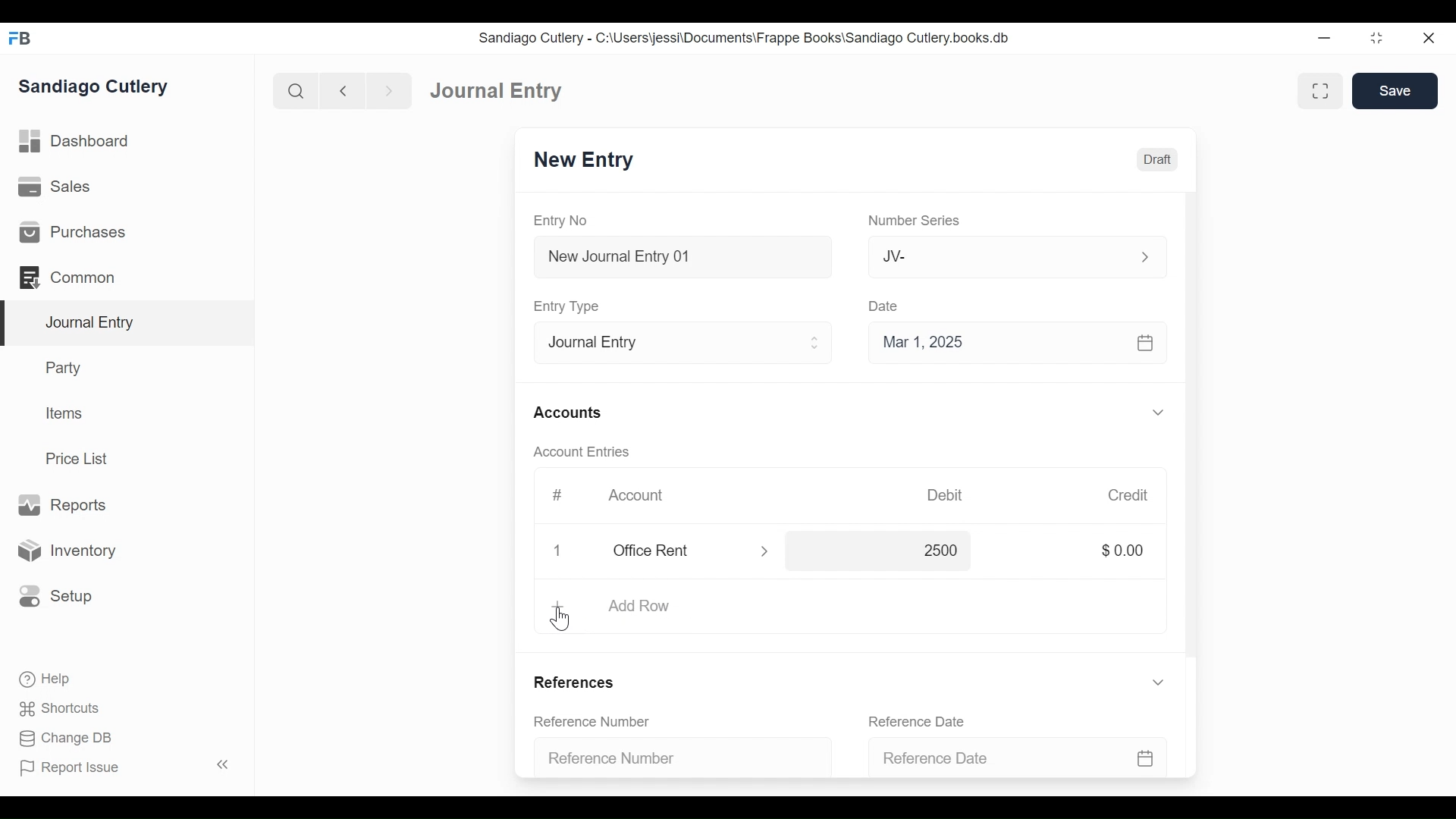  Describe the element at coordinates (38, 680) in the screenshot. I see `Help` at that location.